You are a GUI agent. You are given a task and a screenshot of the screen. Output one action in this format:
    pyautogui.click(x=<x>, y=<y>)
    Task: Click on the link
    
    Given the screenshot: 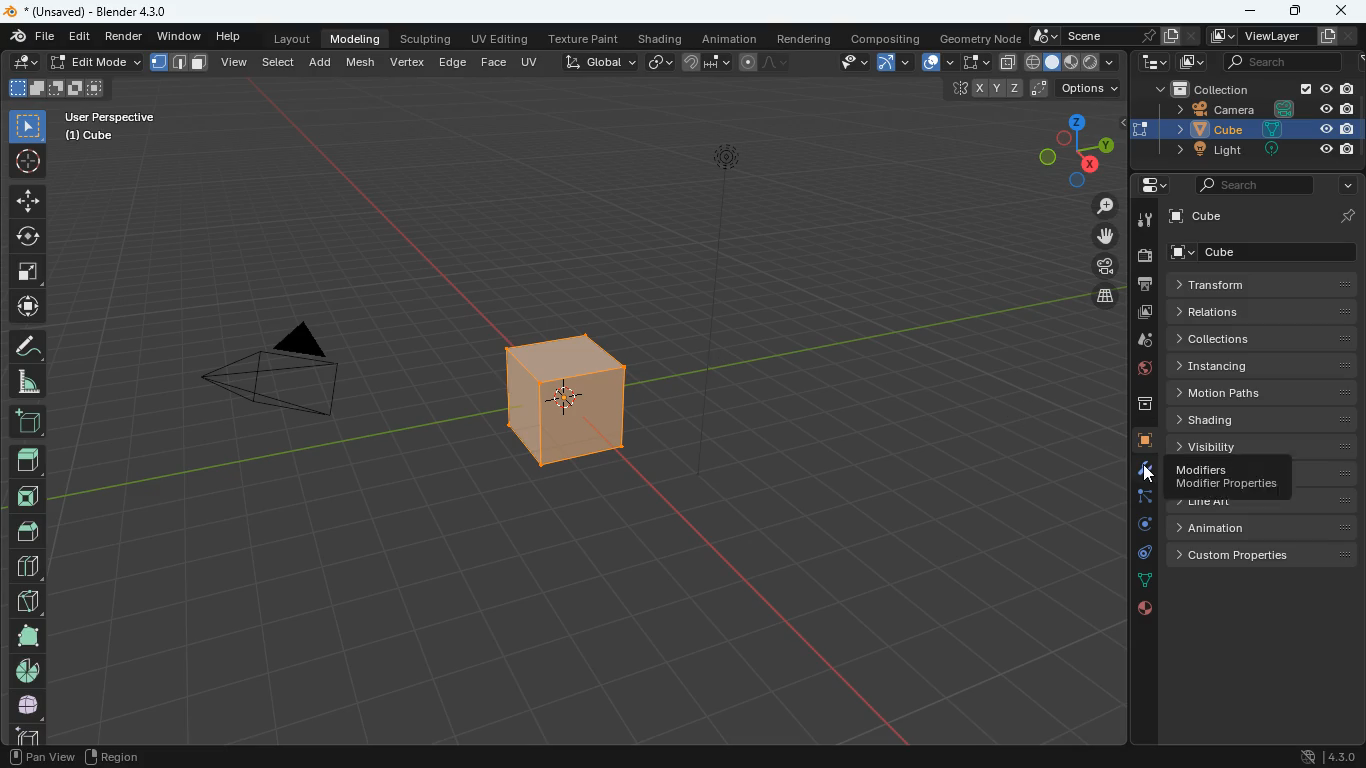 What is the action you would take?
    pyautogui.click(x=661, y=61)
    